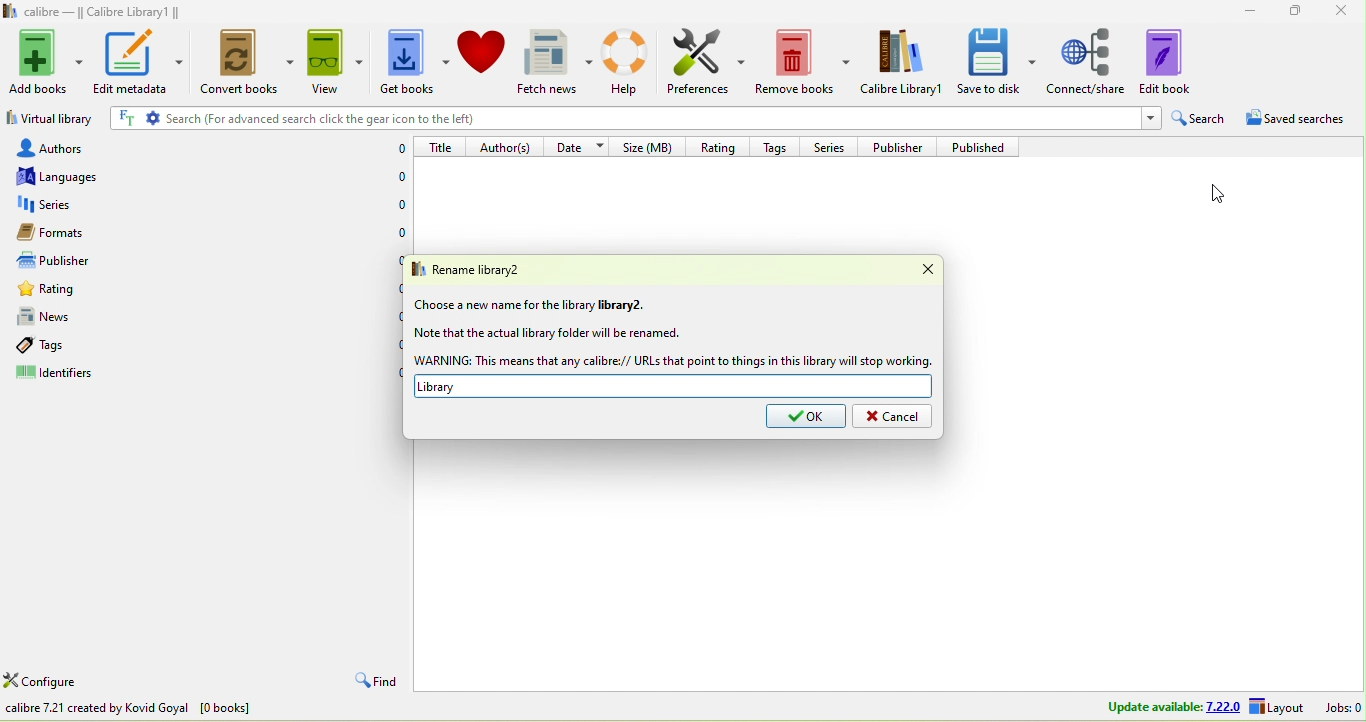  I want to click on publisher, so click(74, 261).